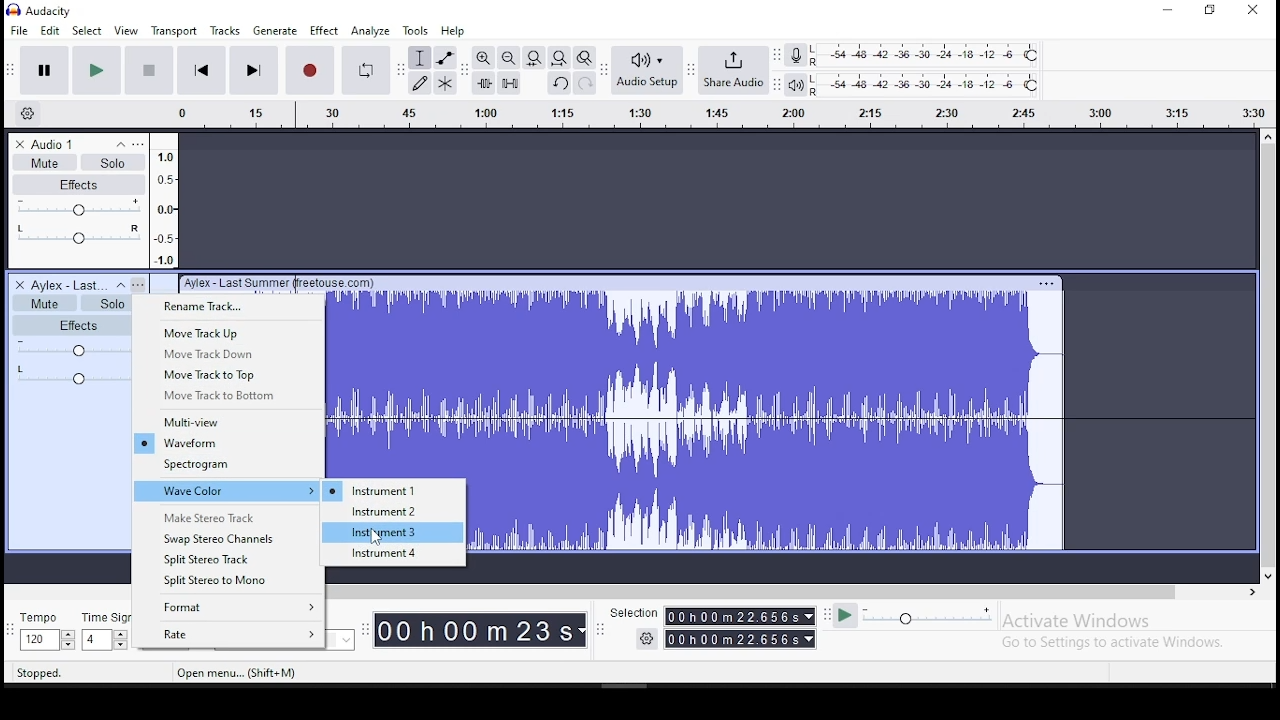 The image size is (1280, 720). I want to click on minimize, so click(1166, 11).